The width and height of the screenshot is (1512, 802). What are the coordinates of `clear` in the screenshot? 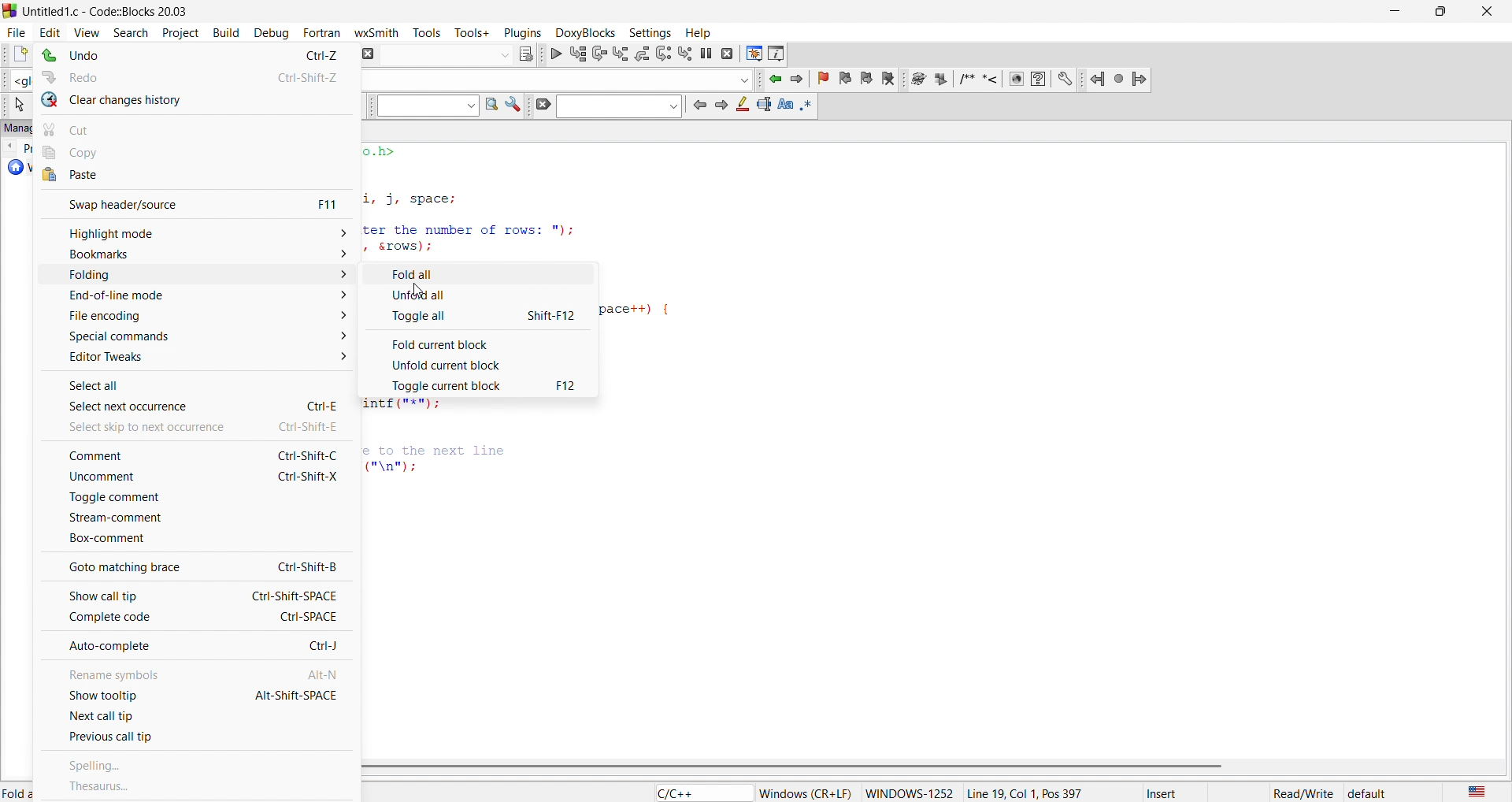 It's located at (540, 106).